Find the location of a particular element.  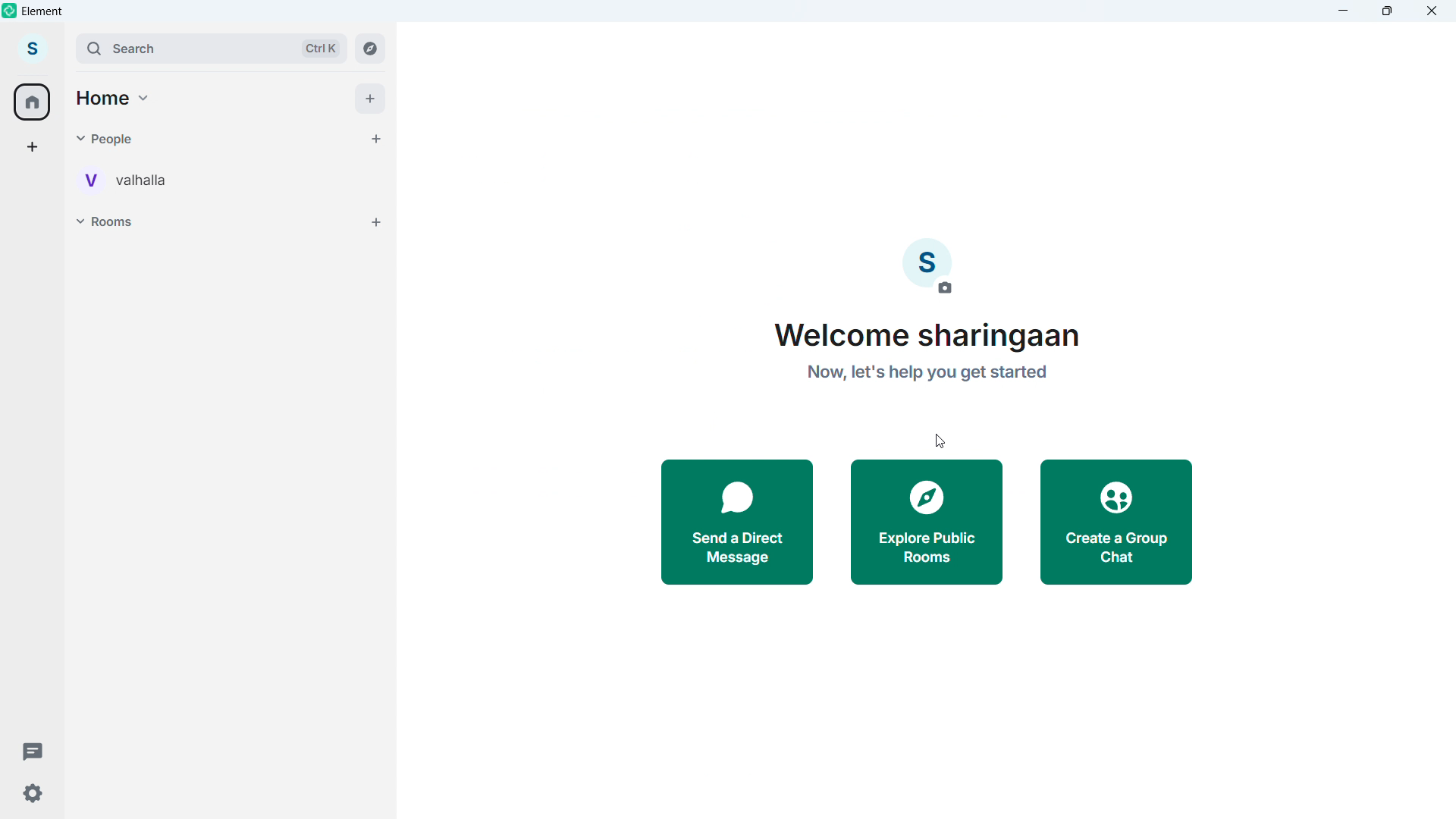

Home  is located at coordinates (115, 96).